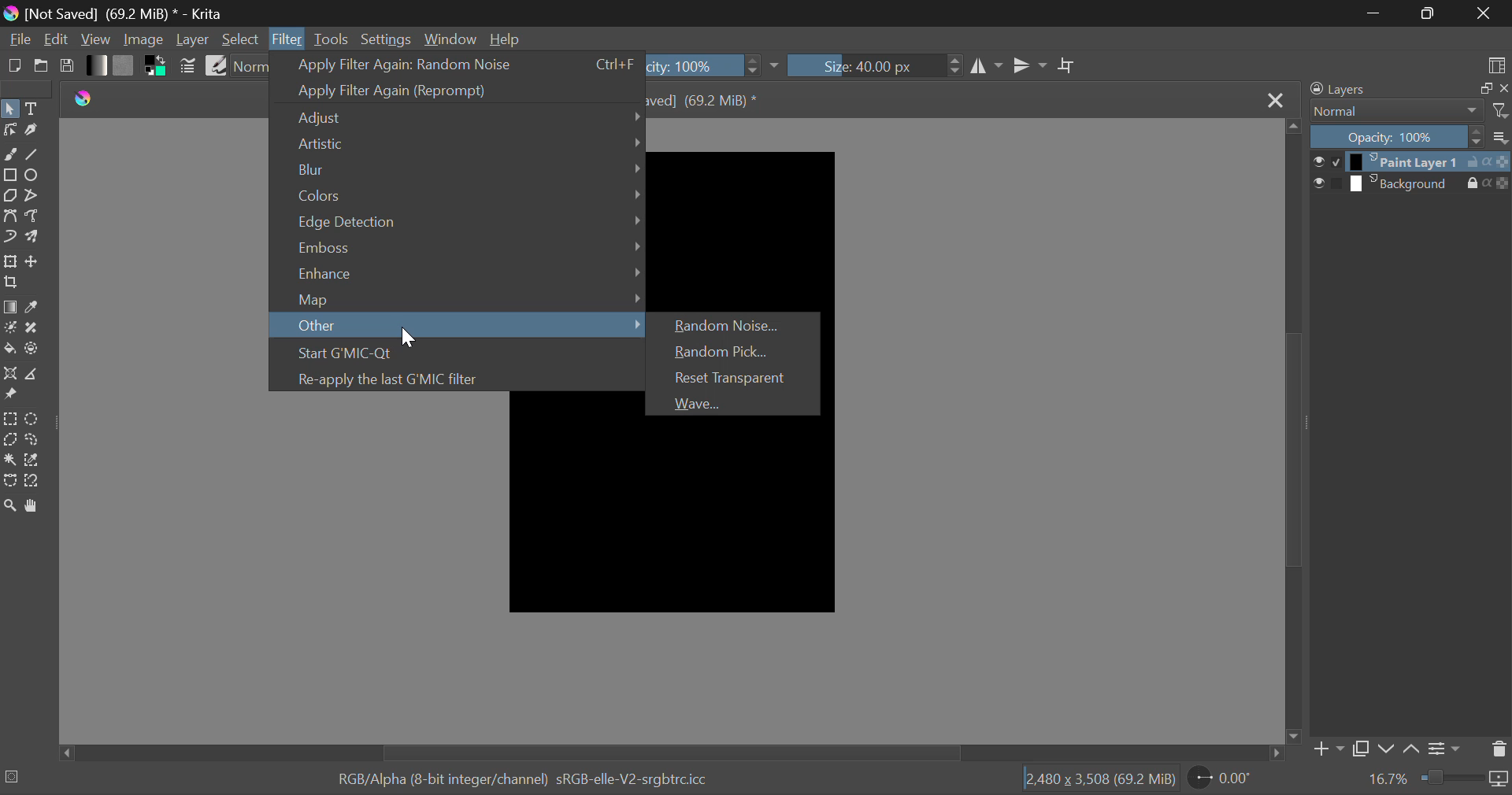 The image size is (1512, 795). Describe the element at coordinates (875, 65) in the screenshot. I see `Brush Size` at that location.